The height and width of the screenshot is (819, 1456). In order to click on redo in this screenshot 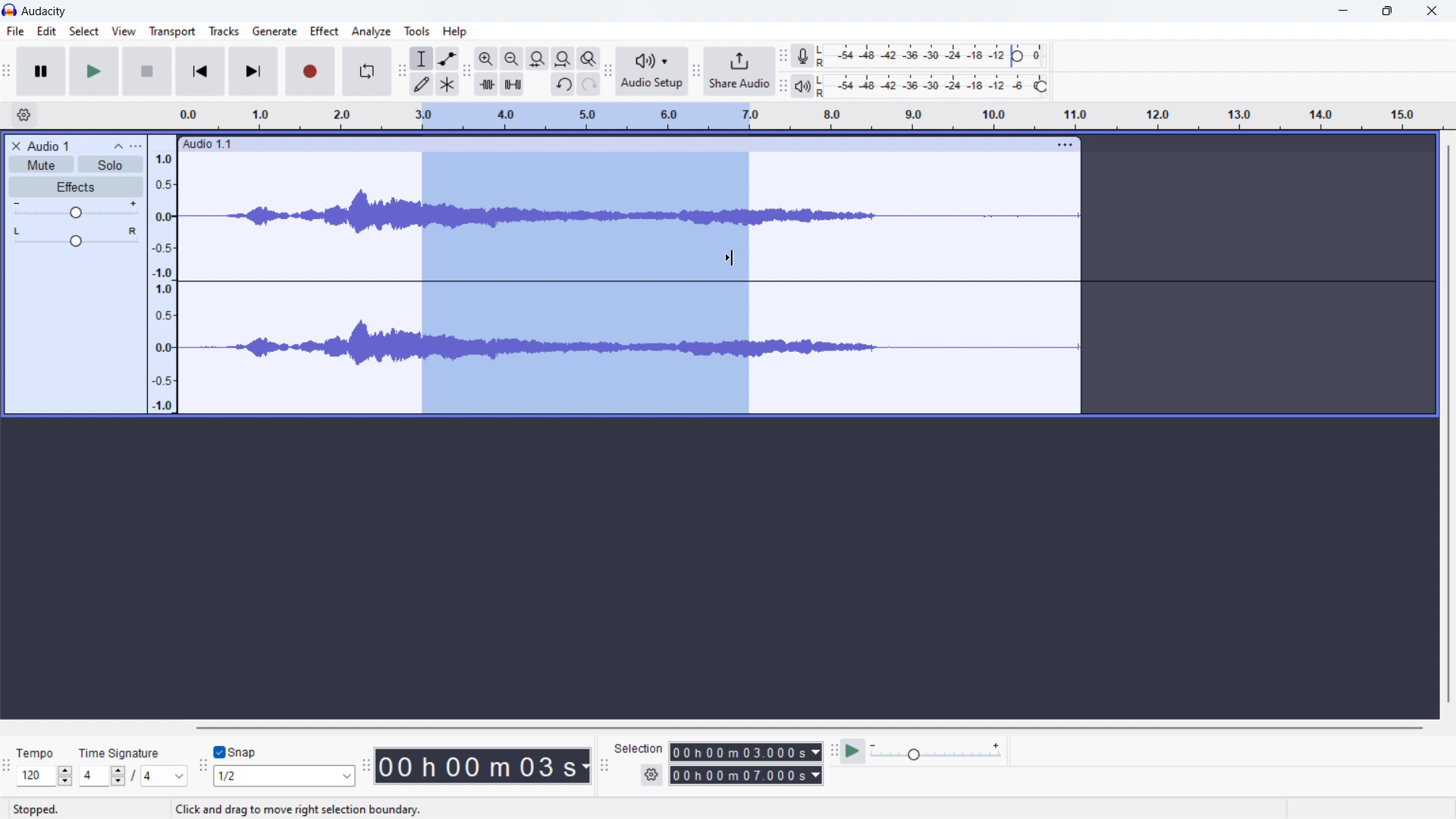, I will do `click(589, 83)`.